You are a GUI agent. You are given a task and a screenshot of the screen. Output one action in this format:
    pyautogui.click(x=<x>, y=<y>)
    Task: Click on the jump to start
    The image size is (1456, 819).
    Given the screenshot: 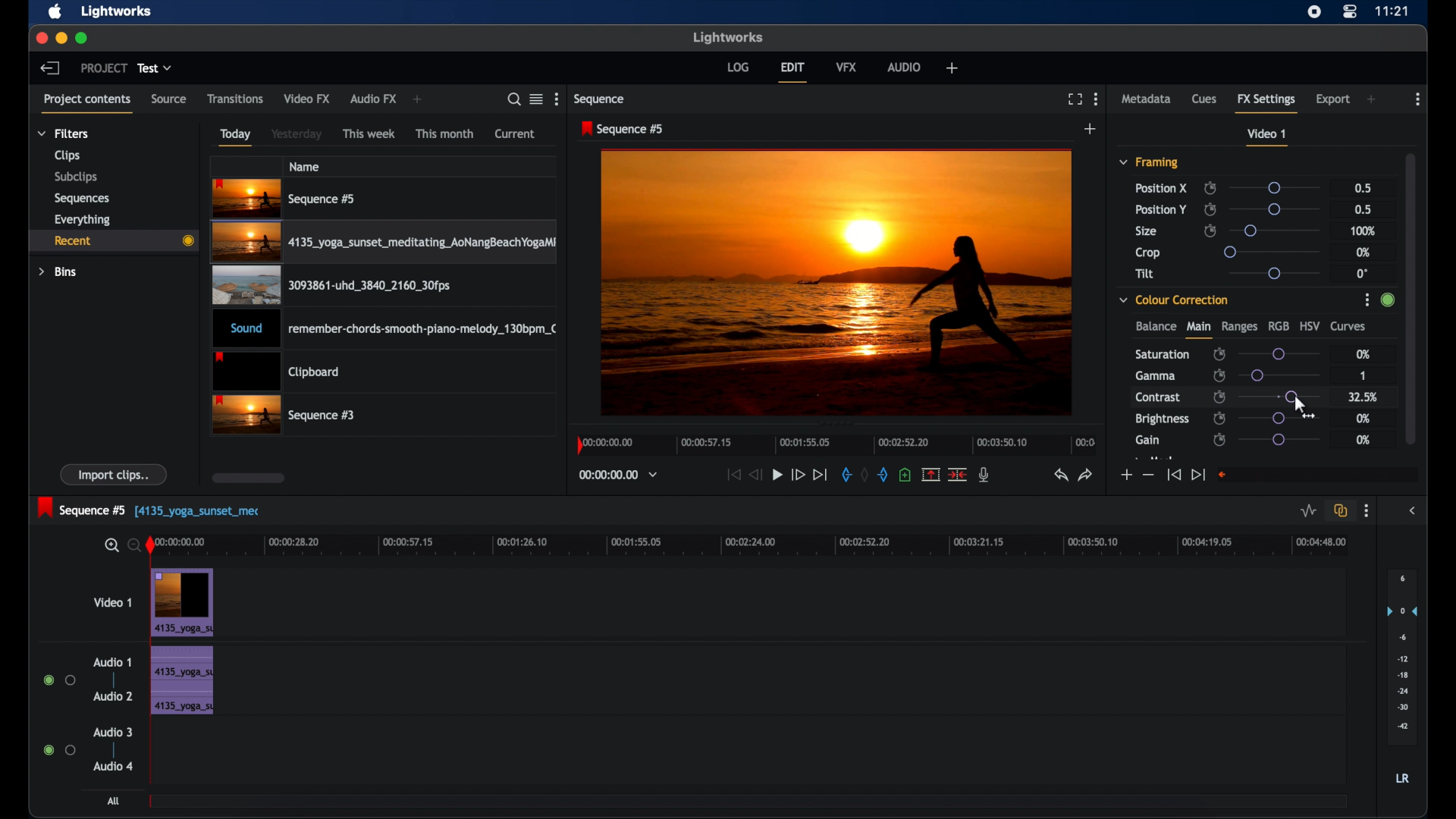 What is the action you would take?
    pyautogui.click(x=1173, y=474)
    